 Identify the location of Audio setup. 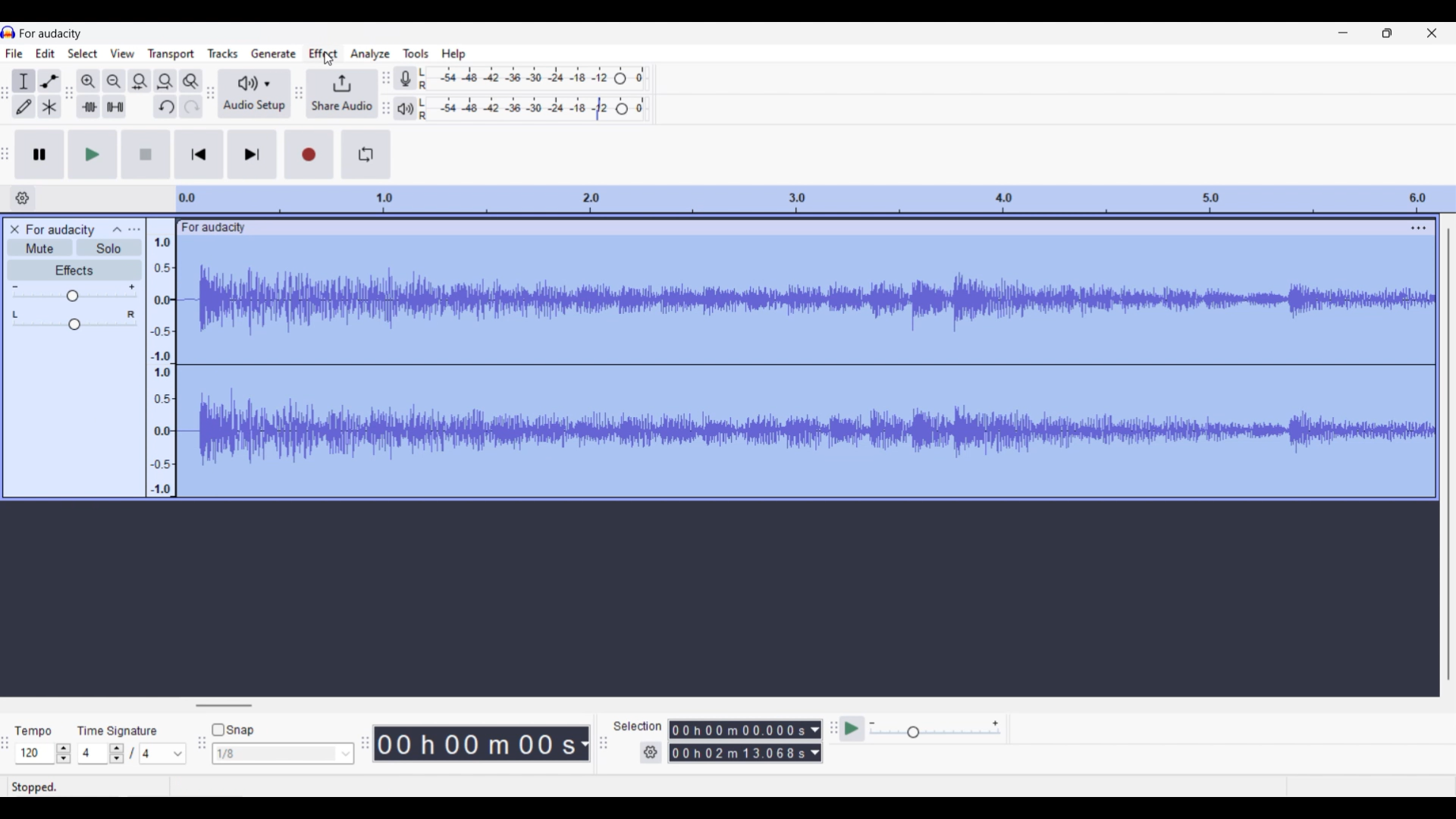
(253, 93).